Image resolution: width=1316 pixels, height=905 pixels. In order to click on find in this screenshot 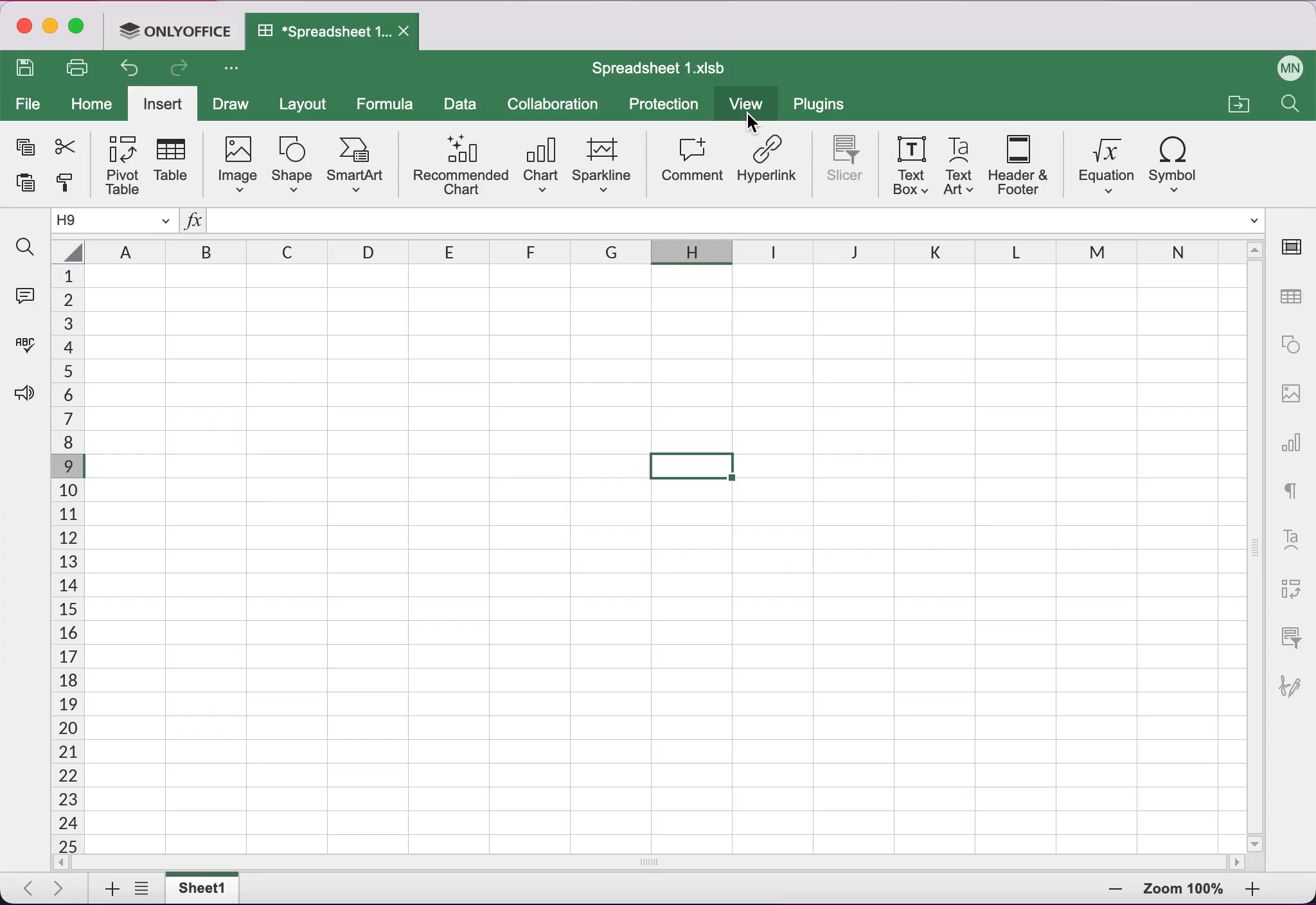, I will do `click(1292, 105)`.